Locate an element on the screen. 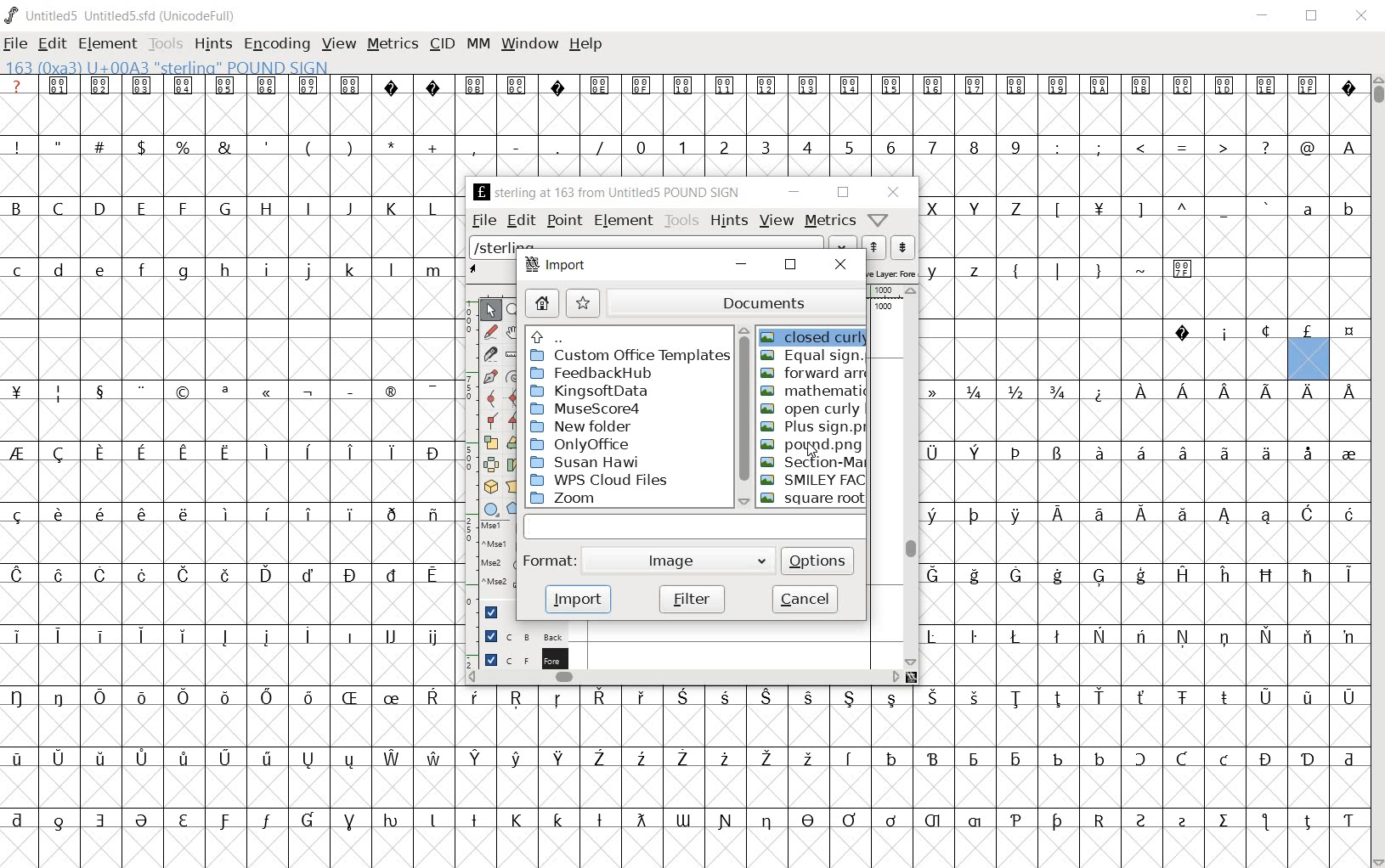  Symbol is located at coordinates (1016, 636).